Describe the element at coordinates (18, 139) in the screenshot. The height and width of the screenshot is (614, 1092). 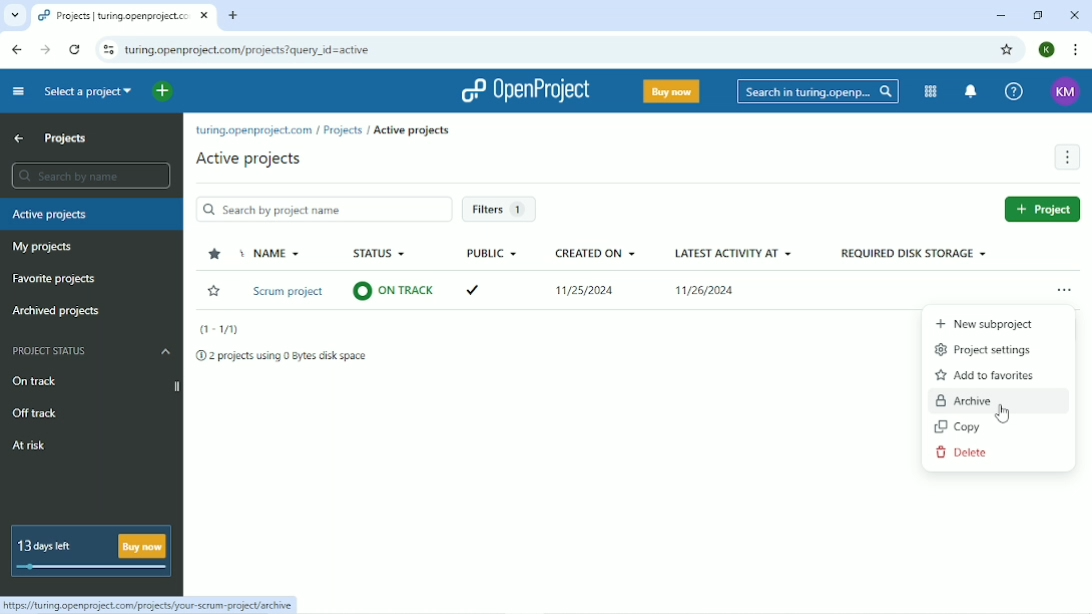
I see `Up` at that location.